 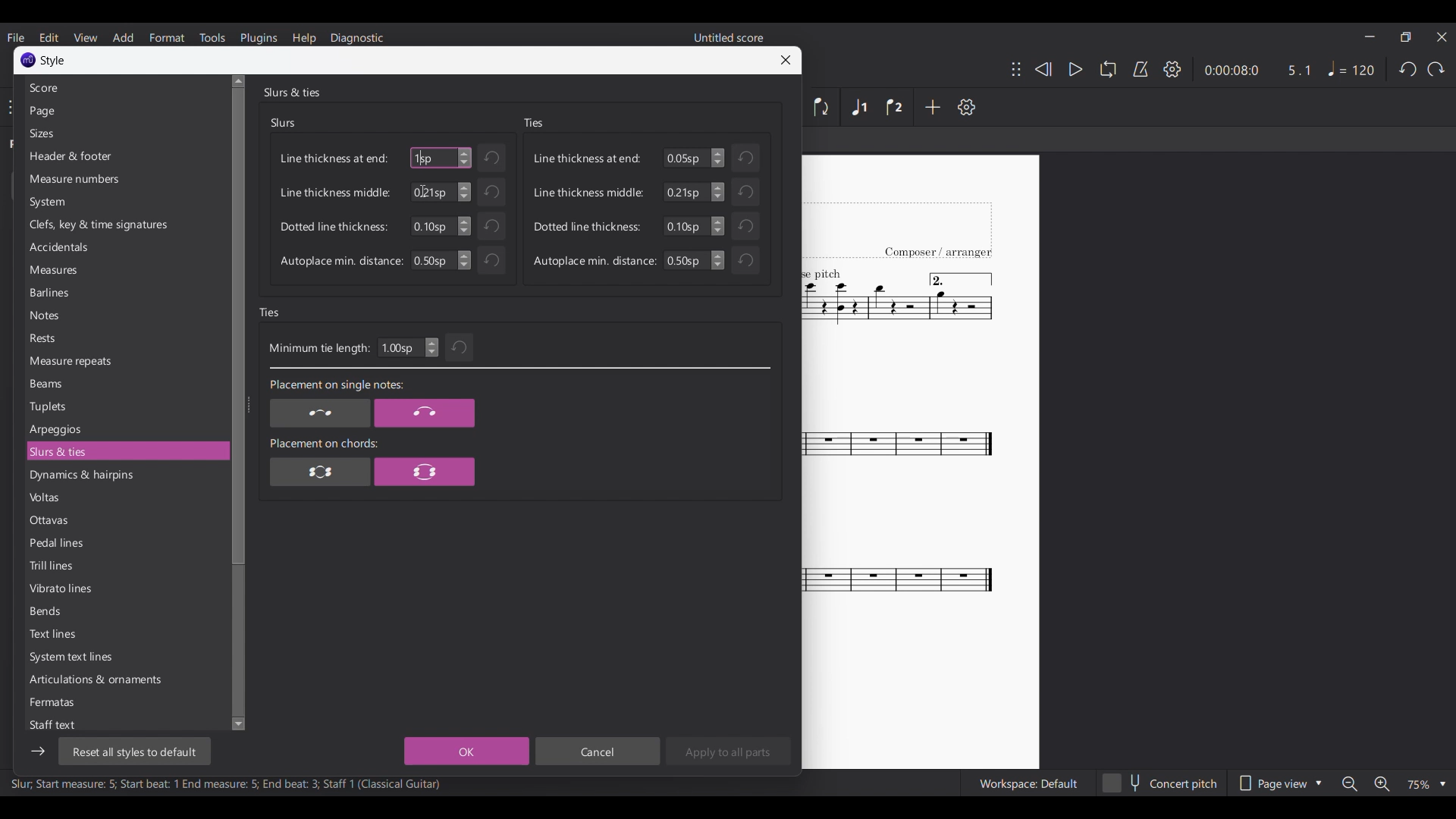 I want to click on Zoom out, so click(x=1350, y=783).